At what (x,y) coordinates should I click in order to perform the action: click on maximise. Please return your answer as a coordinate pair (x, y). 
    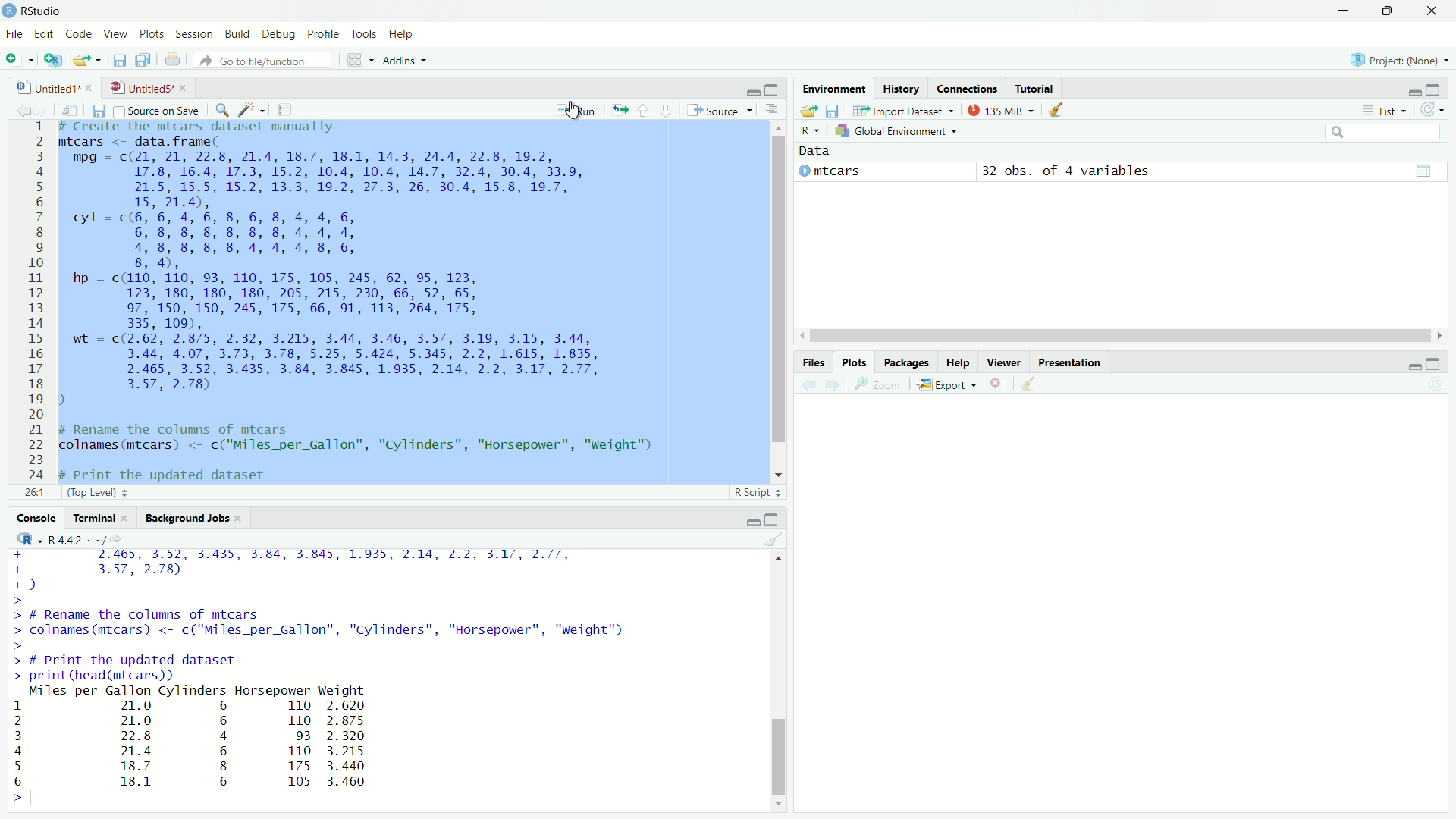
    Looking at the image, I should click on (771, 89).